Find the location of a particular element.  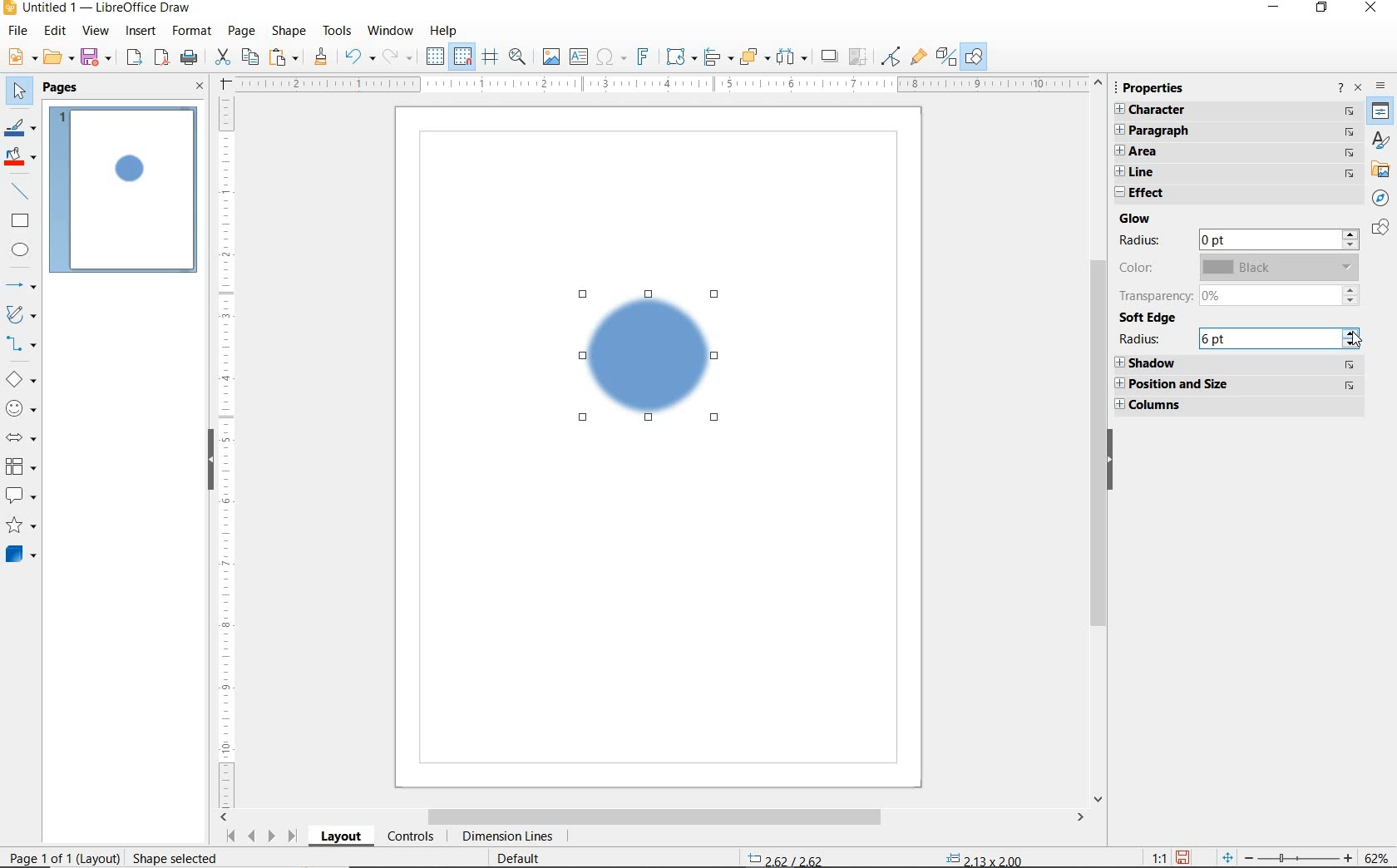

PRINT is located at coordinates (189, 57).